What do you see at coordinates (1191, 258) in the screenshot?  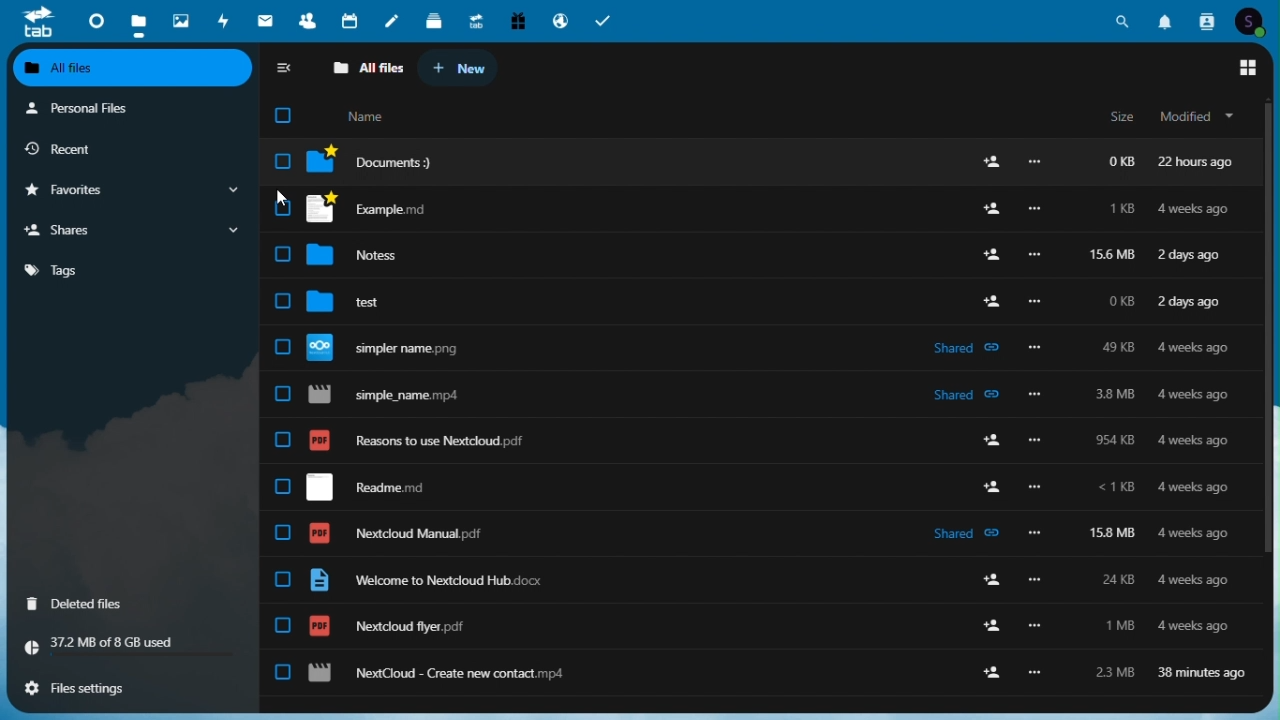 I see `2 days ago` at bounding box center [1191, 258].